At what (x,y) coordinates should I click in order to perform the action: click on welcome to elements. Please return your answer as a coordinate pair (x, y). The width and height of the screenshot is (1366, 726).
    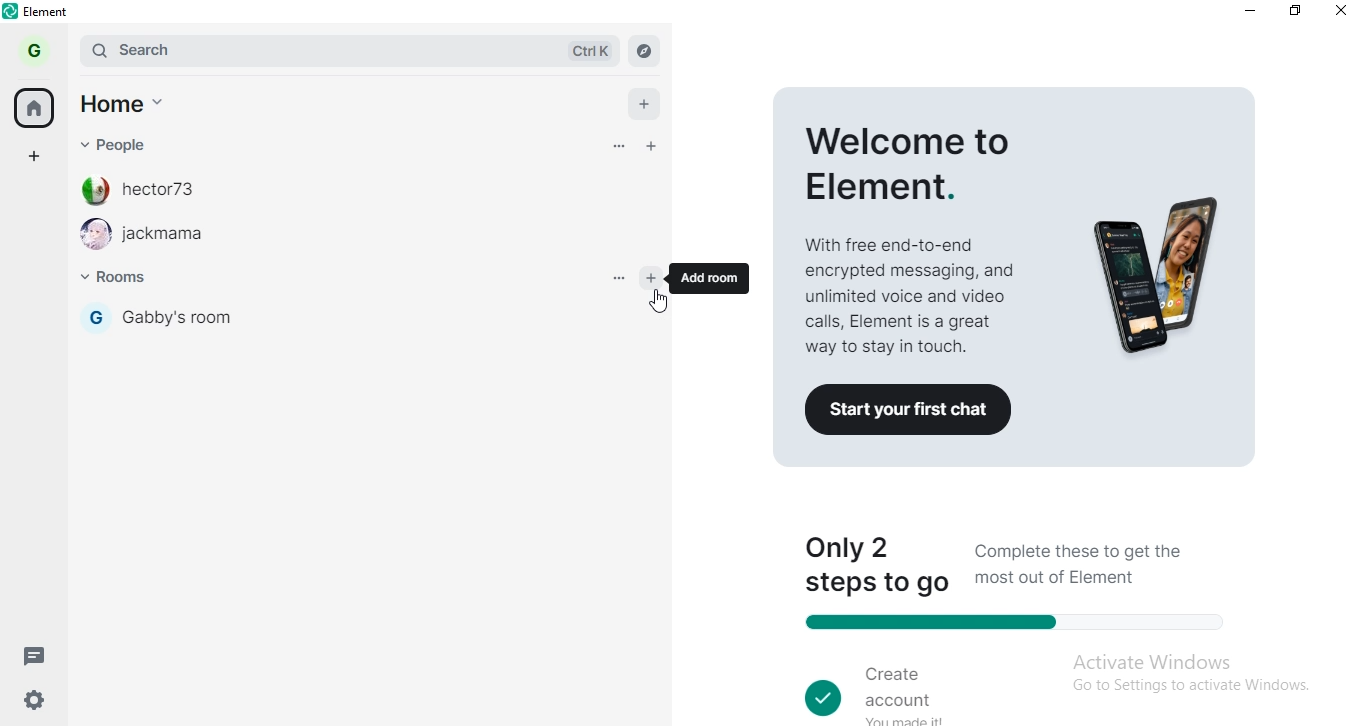
    Looking at the image, I should click on (908, 226).